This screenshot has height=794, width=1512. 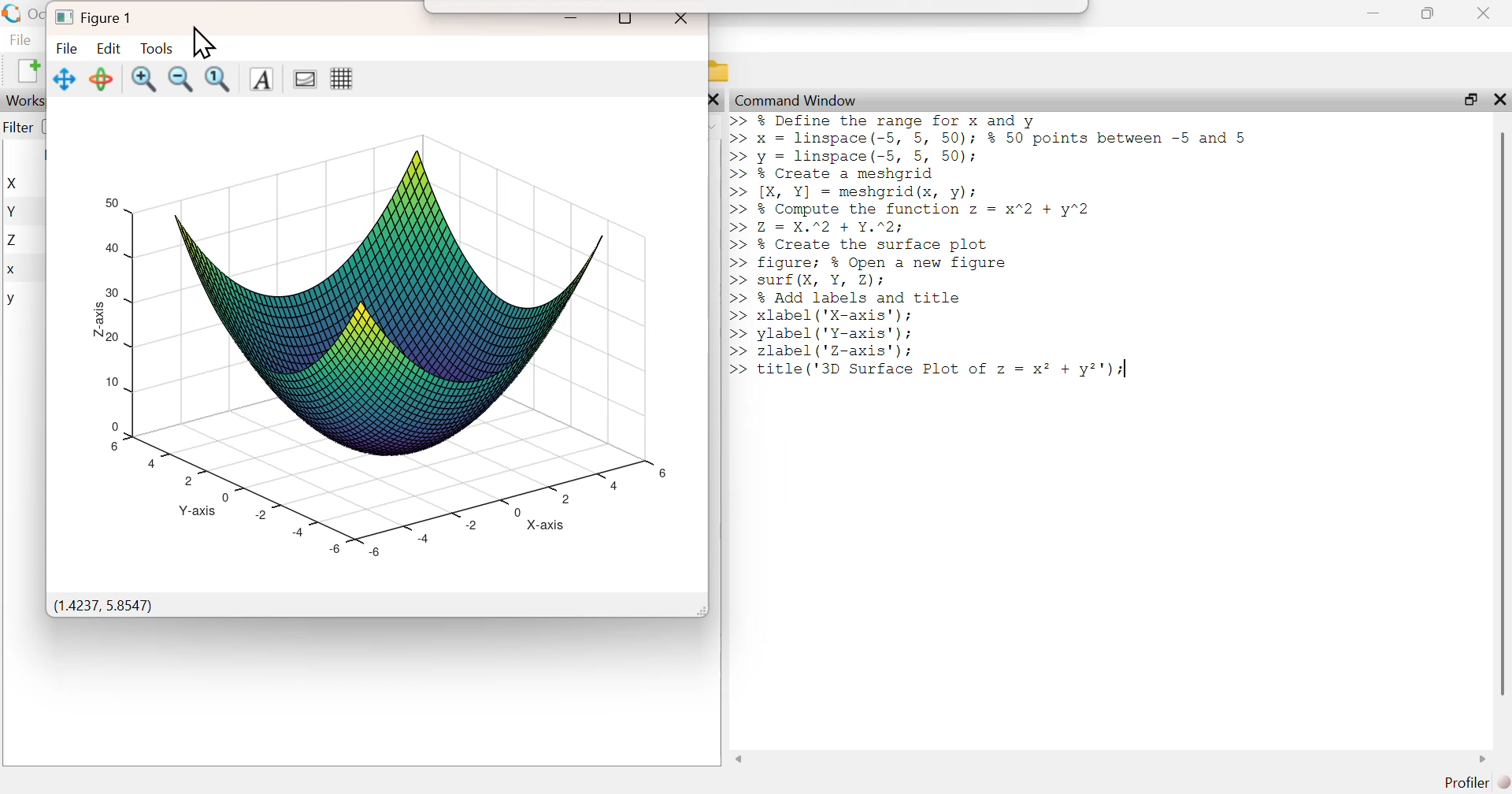 What do you see at coordinates (65, 48) in the screenshot?
I see `File` at bounding box center [65, 48].